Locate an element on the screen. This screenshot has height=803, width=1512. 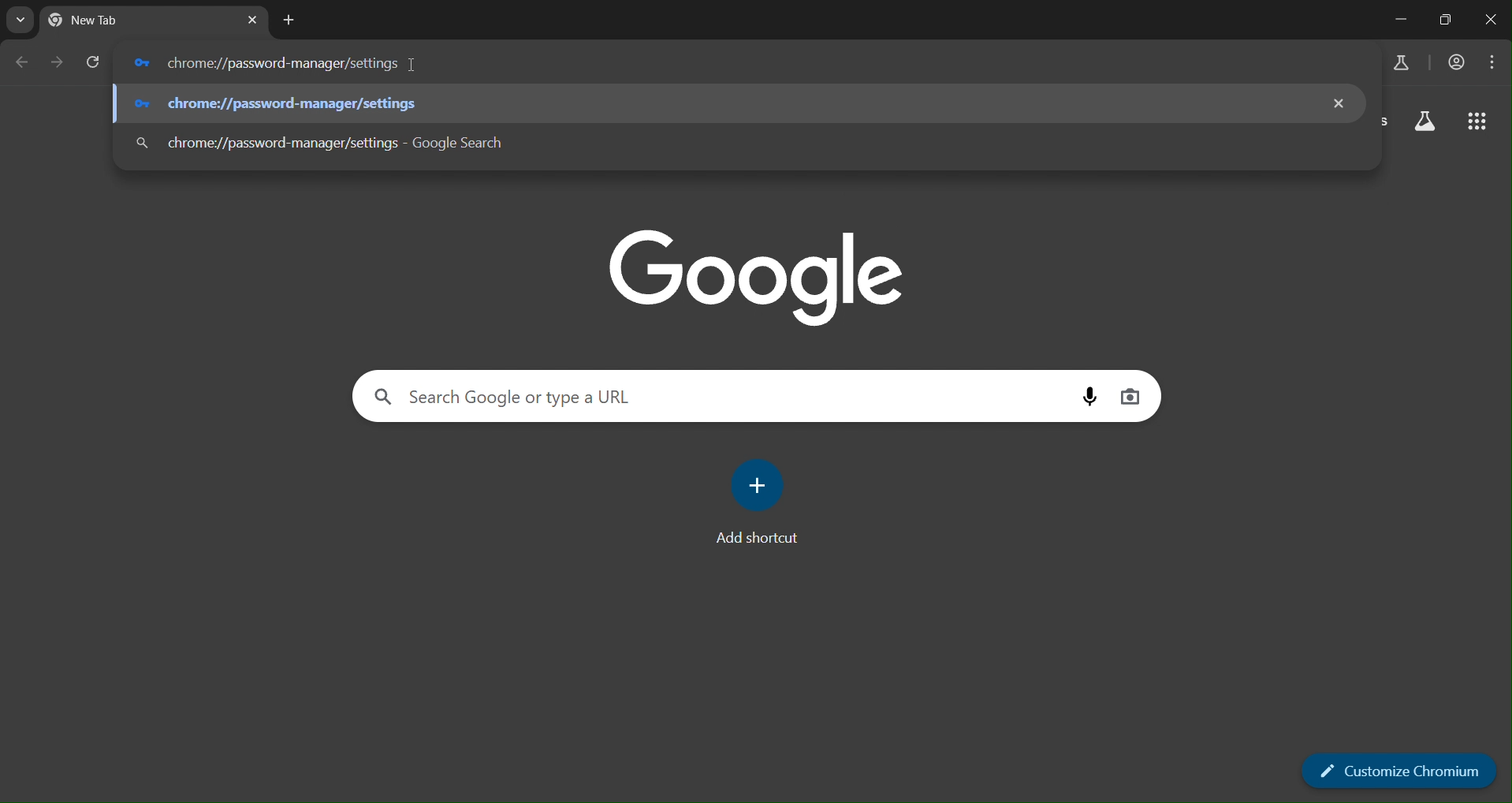
close tab is located at coordinates (254, 20).